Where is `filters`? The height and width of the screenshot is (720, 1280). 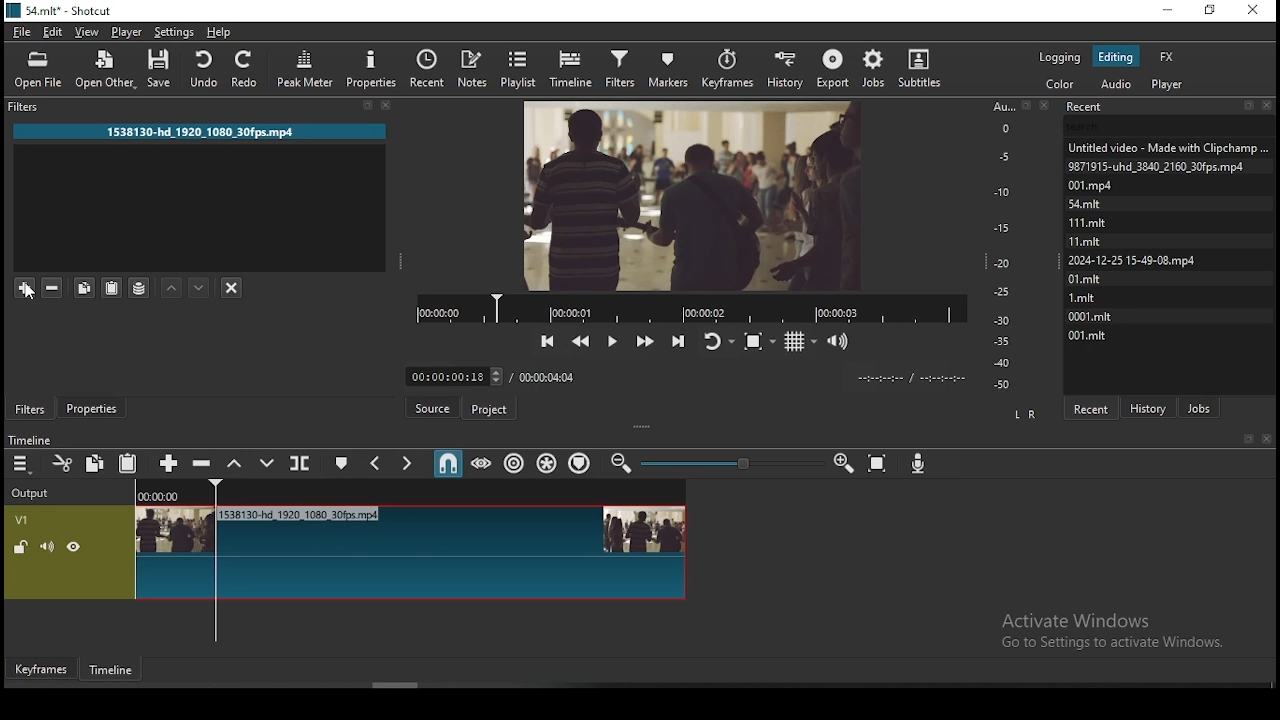
filters is located at coordinates (623, 68).